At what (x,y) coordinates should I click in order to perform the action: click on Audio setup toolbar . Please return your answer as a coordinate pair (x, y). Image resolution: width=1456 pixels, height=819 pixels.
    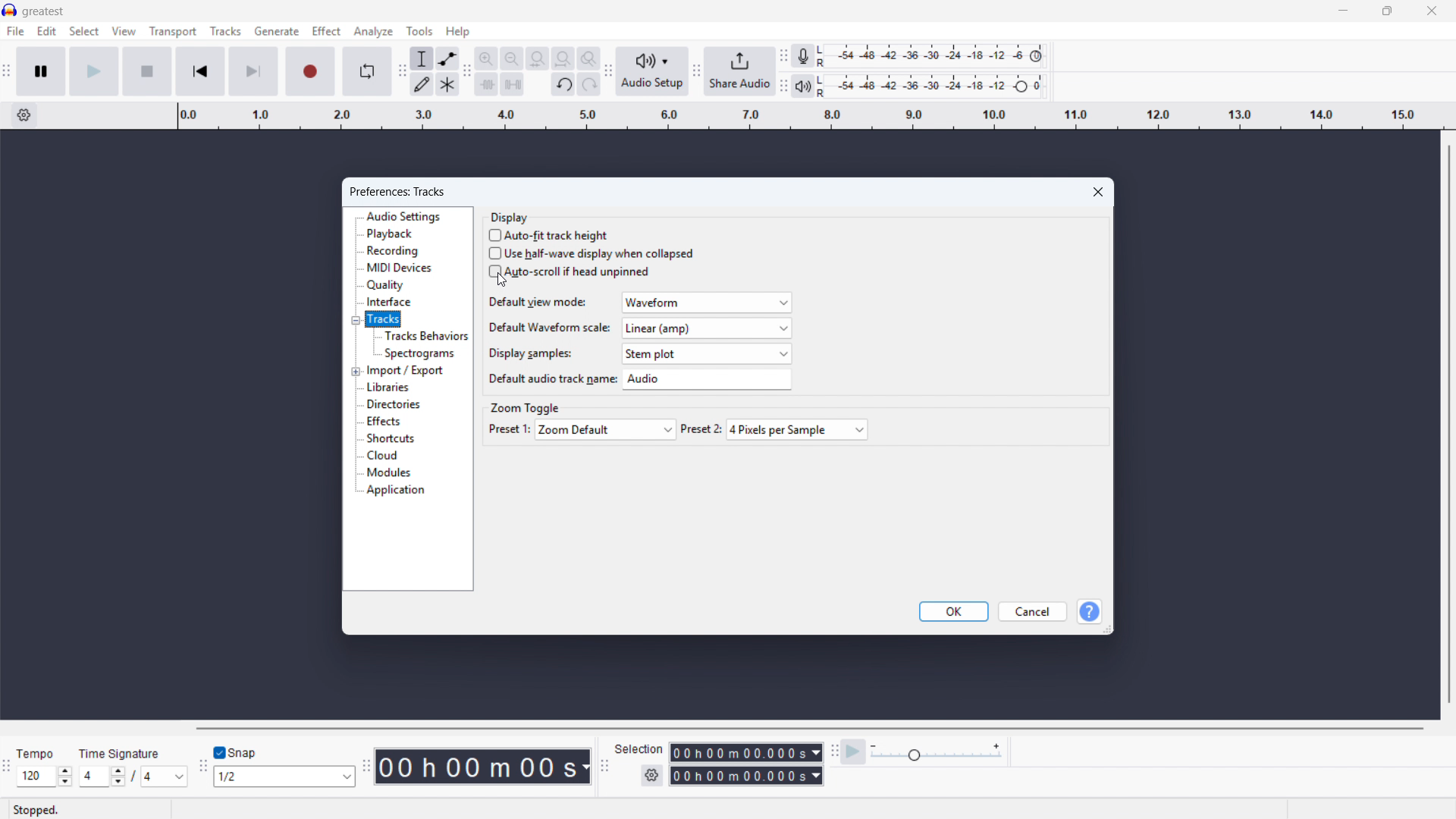
    Looking at the image, I should click on (609, 72).